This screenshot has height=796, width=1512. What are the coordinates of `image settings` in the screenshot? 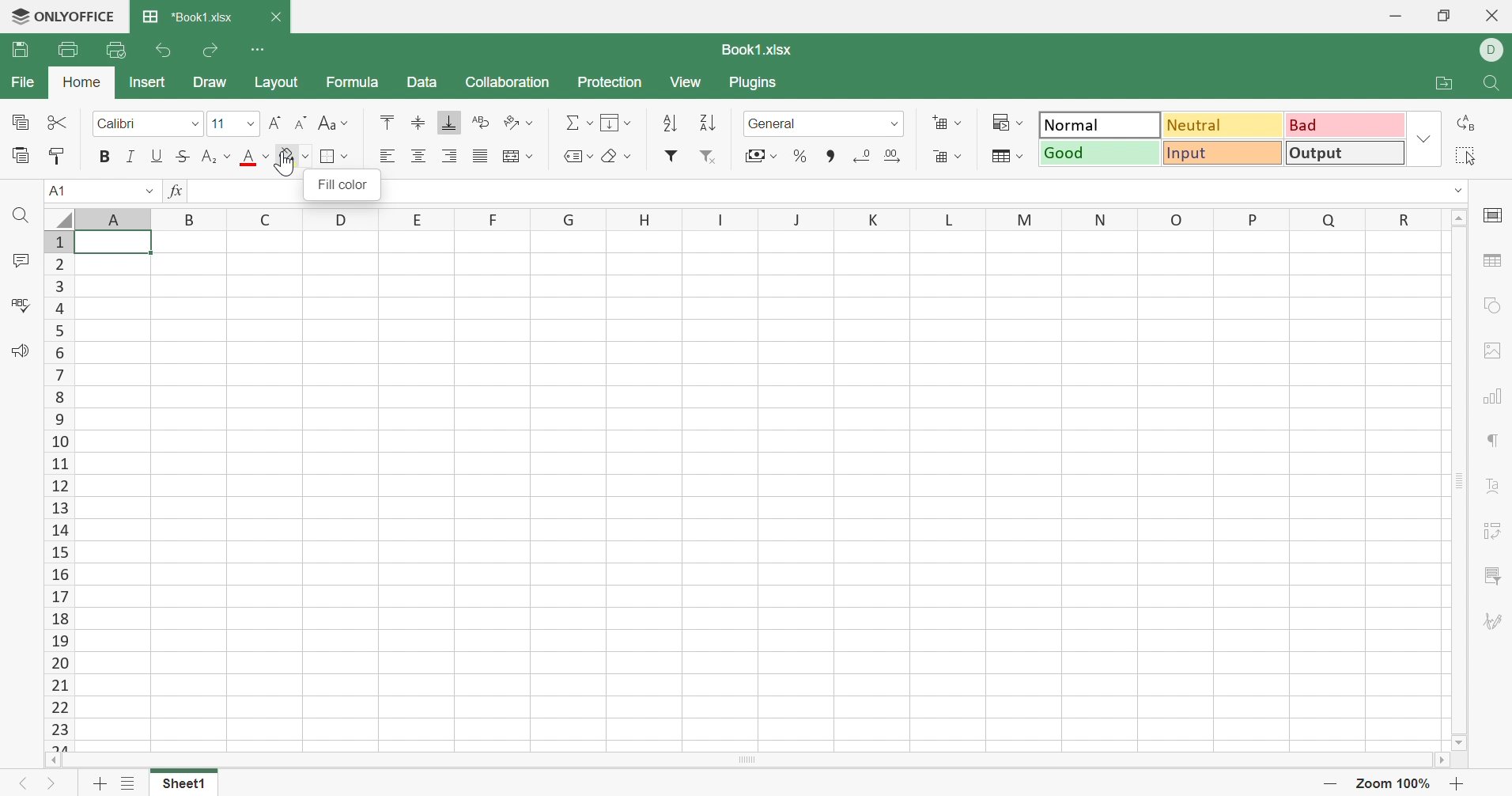 It's located at (1493, 347).